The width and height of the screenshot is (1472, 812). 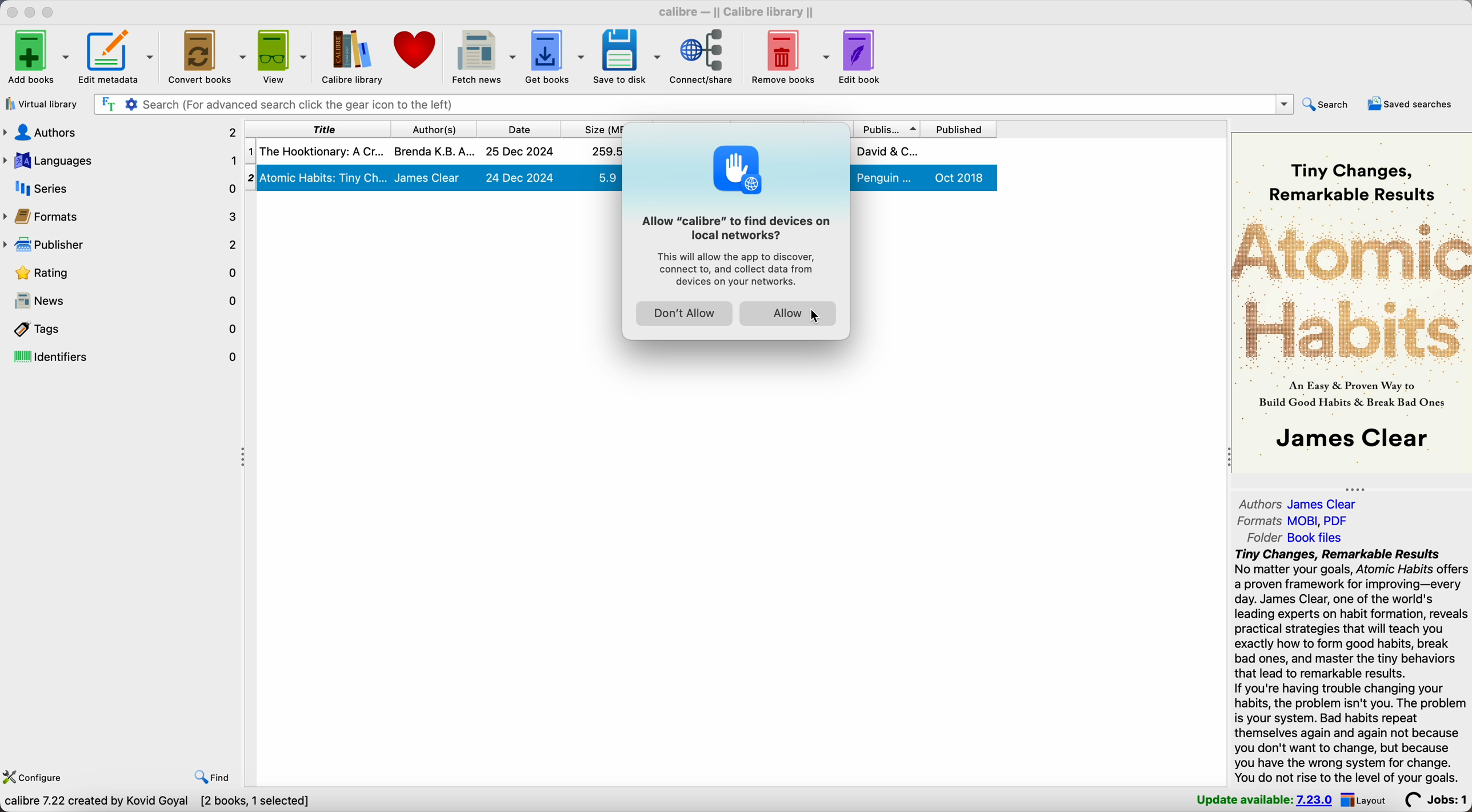 I want to click on The Hookitonary: A Cr, so click(x=321, y=151).